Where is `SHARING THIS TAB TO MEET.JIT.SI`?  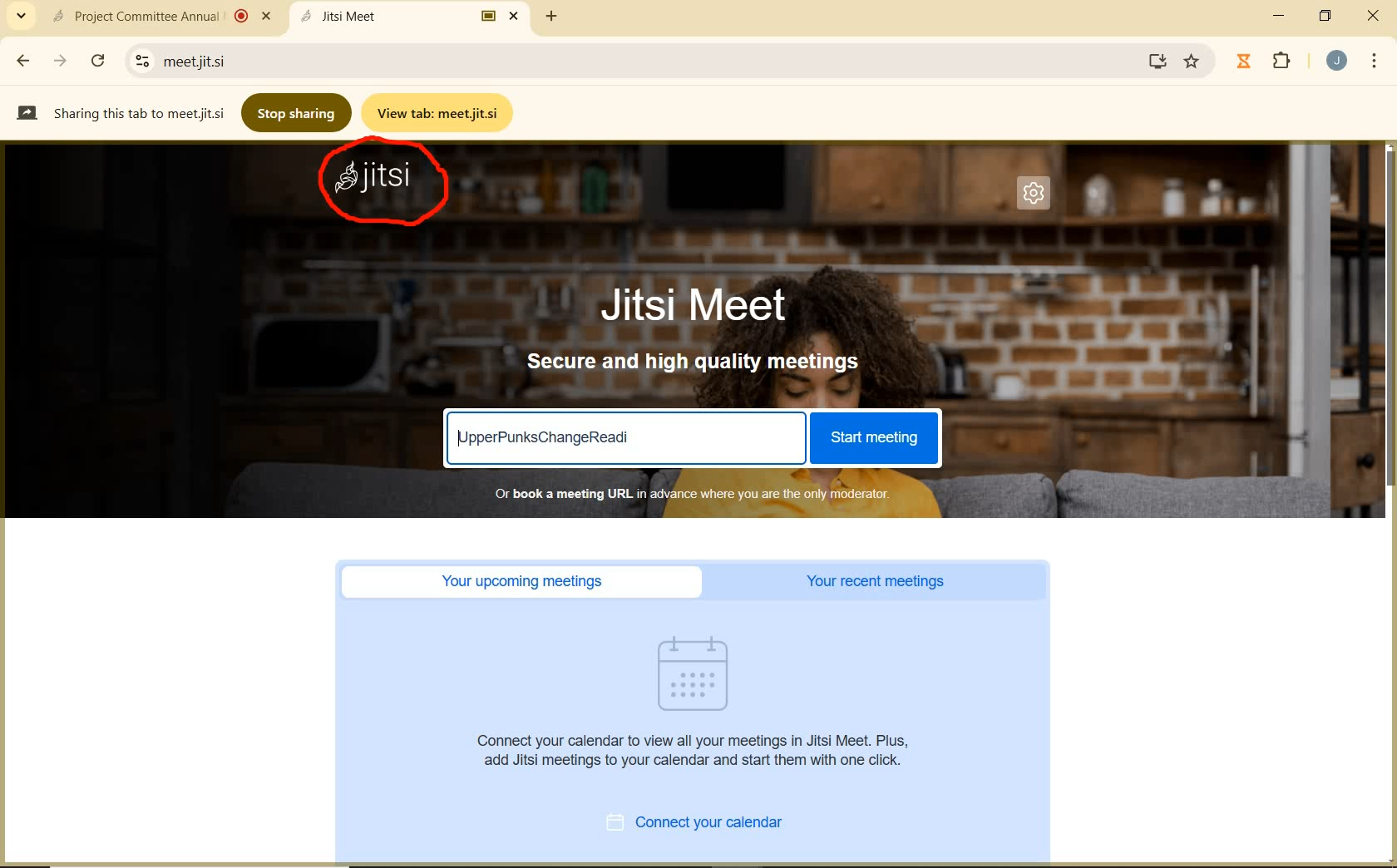 SHARING THIS TAB TO MEET.JIT.SI is located at coordinates (120, 112).